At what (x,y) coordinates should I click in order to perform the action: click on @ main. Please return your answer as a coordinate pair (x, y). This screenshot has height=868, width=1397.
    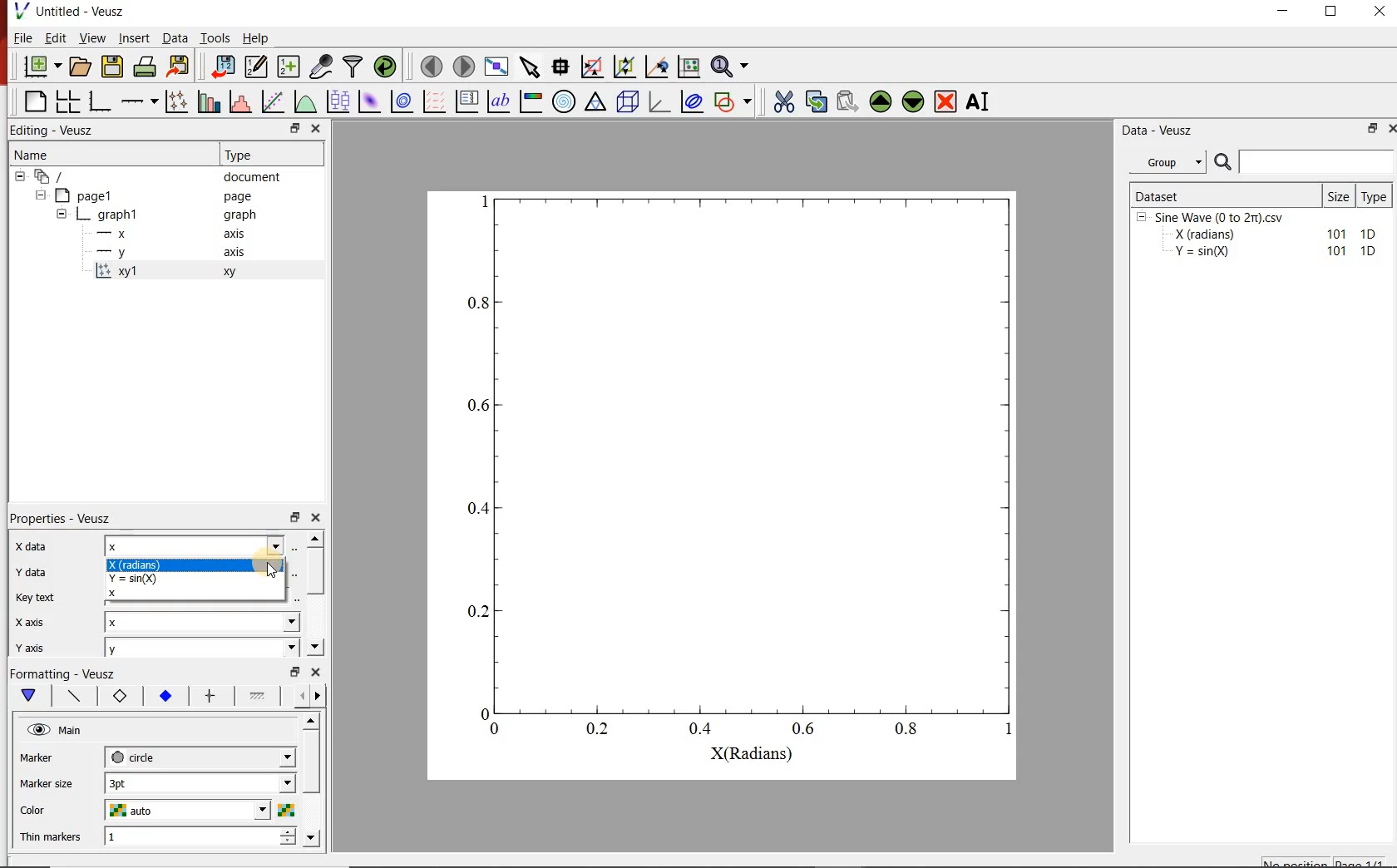
    Looking at the image, I should click on (54, 731).